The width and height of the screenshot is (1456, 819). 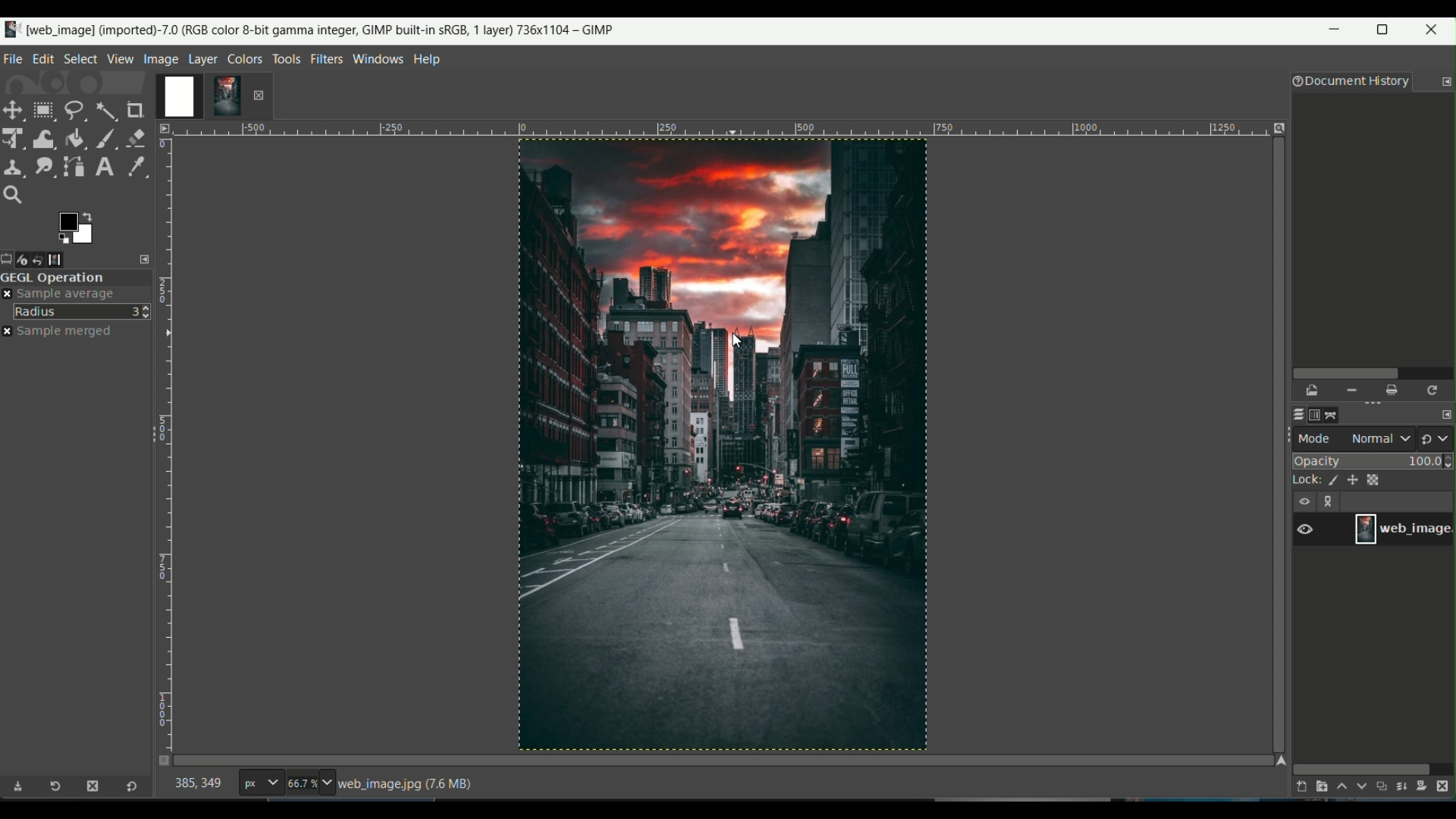 What do you see at coordinates (309, 785) in the screenshot?
I see `image ratio` at bounding box center [309, 785].